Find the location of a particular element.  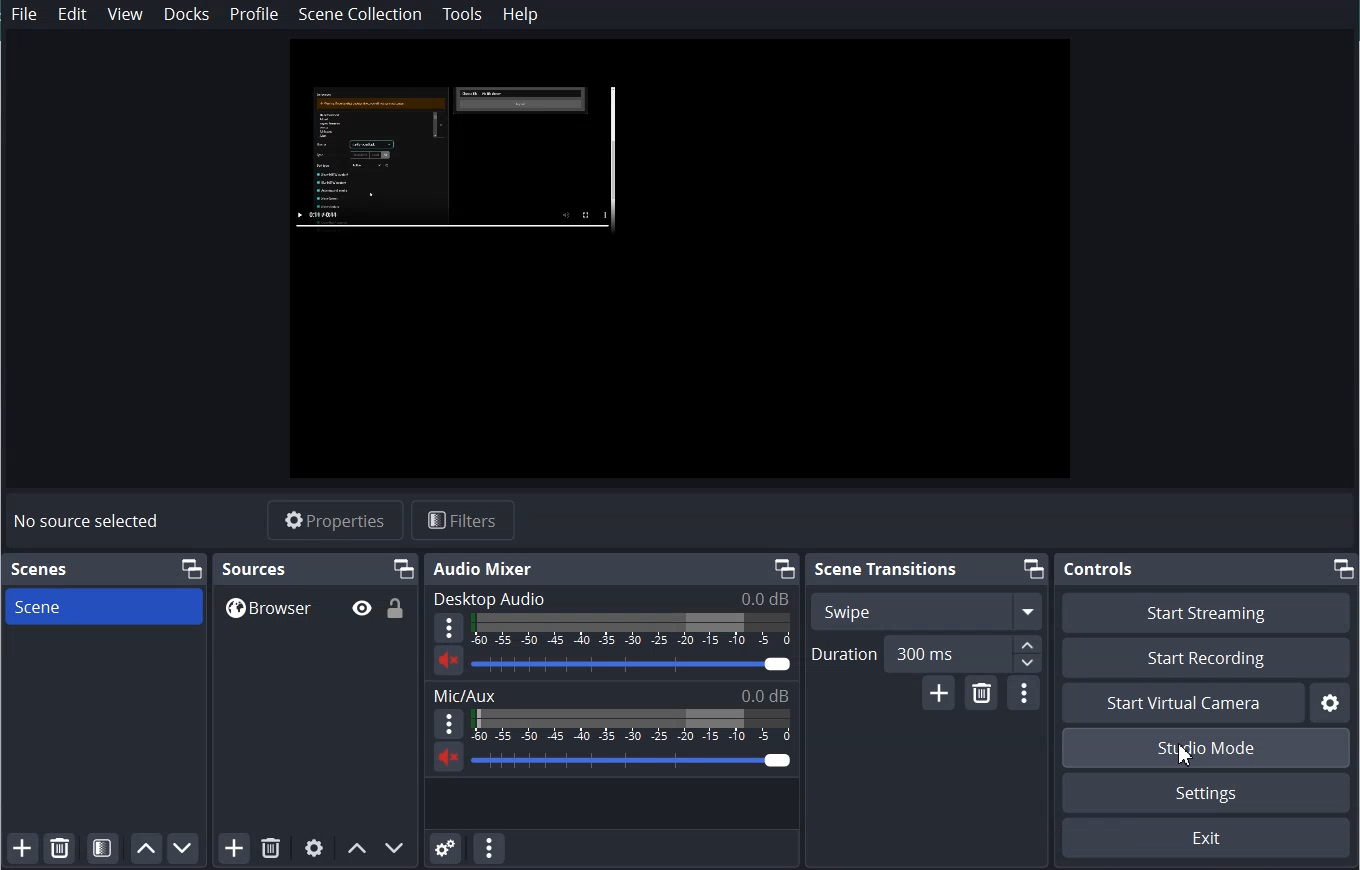

Maximize is located at coordinates (1034, 569).